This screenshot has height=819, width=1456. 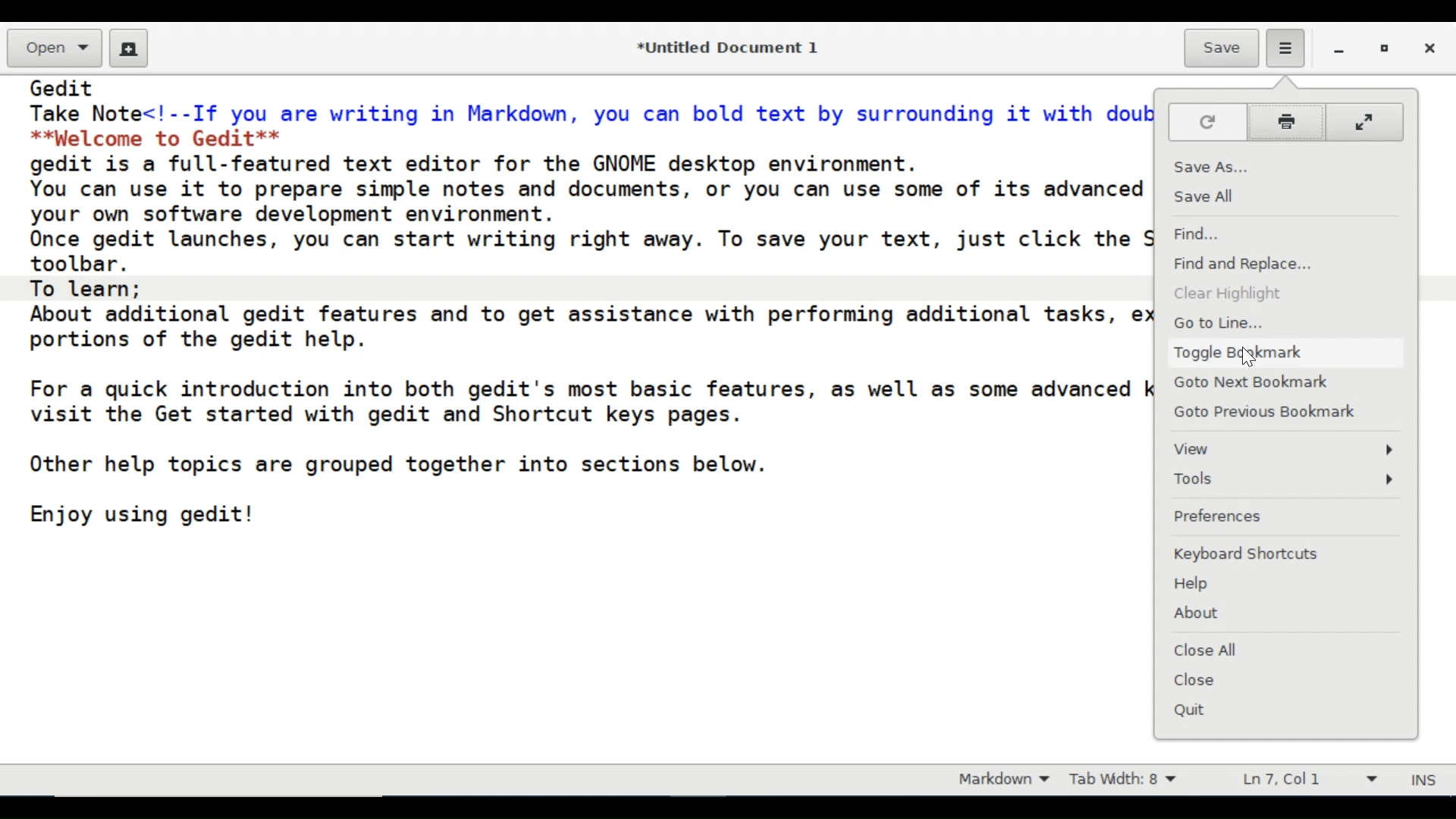 I want to click on Keyboard Shortcuts, so click(x=1250, y=554).